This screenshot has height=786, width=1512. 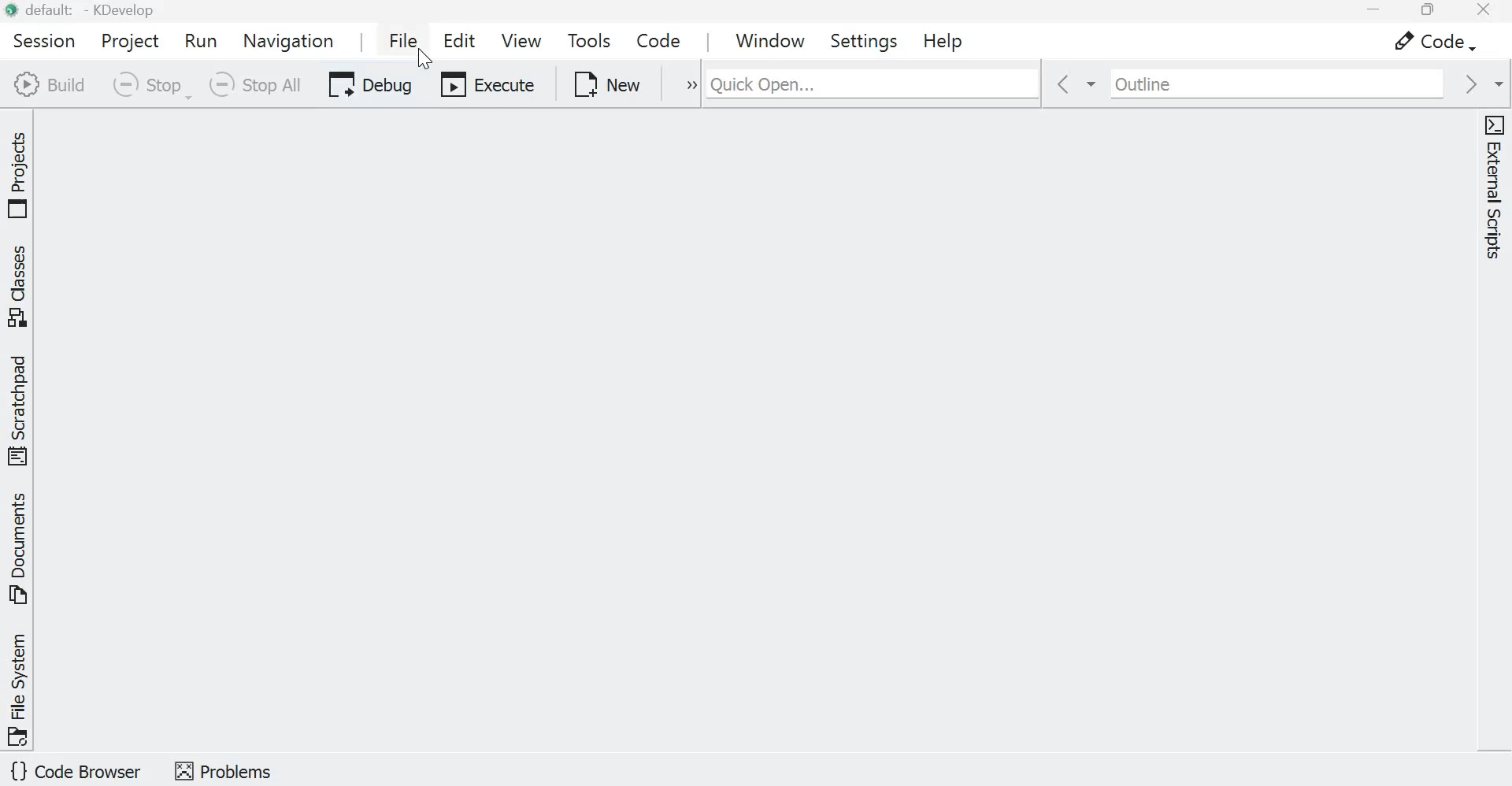 What do you see at coordinates (21, 409) in the screenshot?
I see `Toggle 'Scratchpad' tool view` at bounding box center [21, 409].